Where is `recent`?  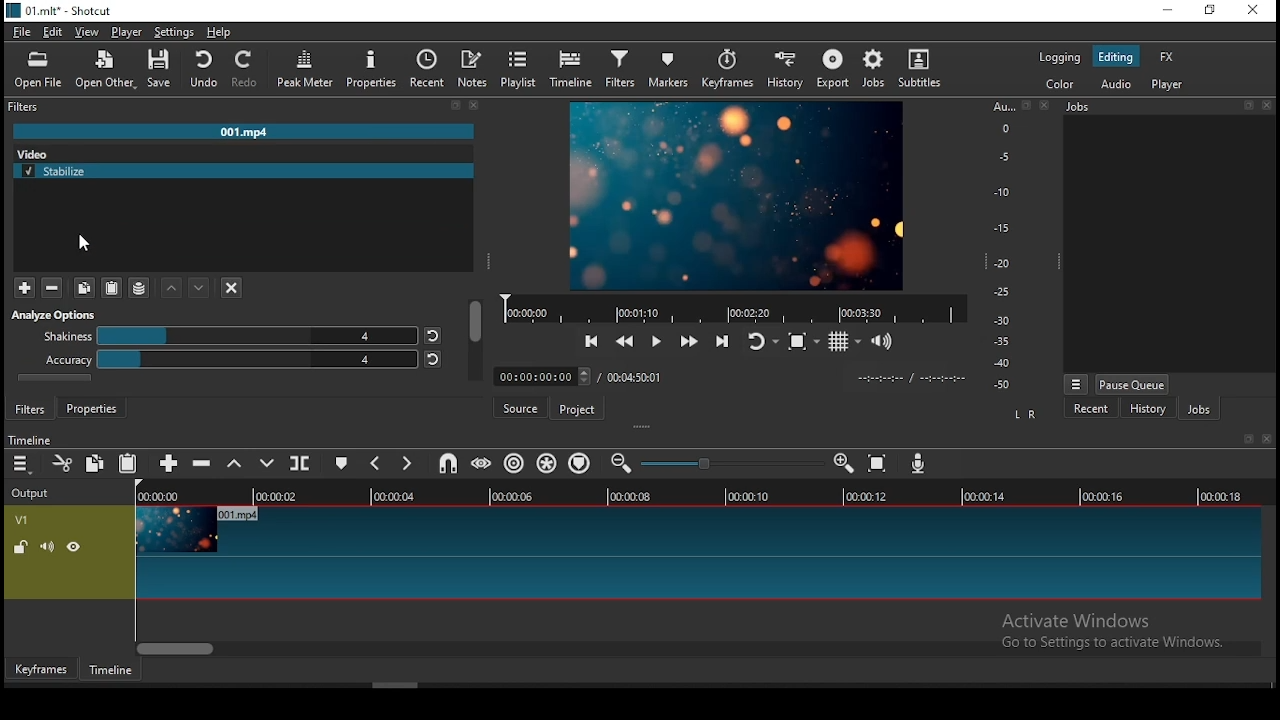 recent is located at coordinates (1085, 410).